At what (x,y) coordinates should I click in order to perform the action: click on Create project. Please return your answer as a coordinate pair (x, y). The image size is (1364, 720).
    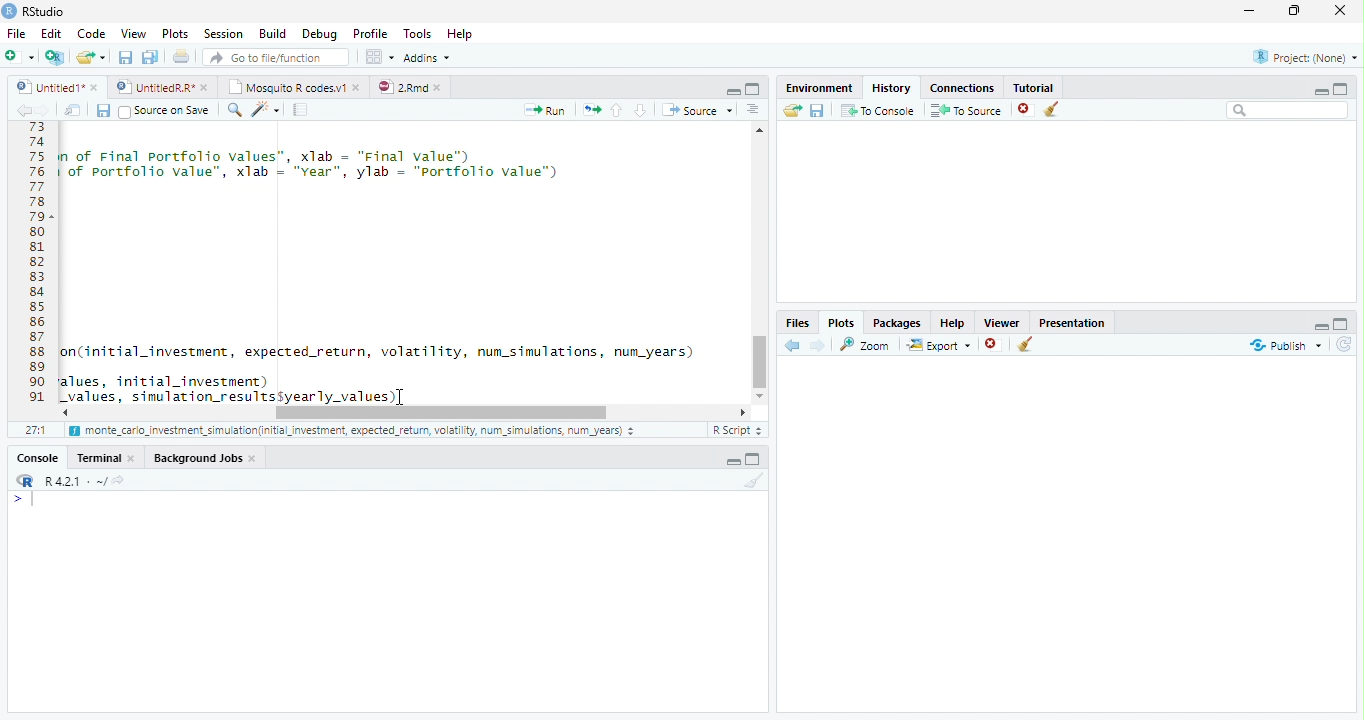
    Looking at the image, I should click on (54, 57).